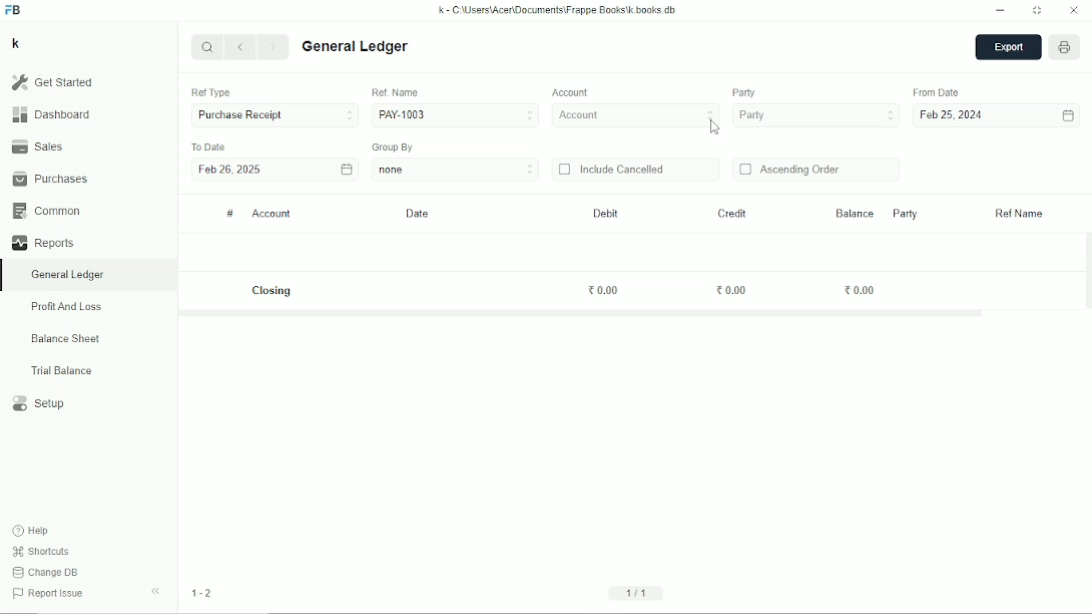  What do you see at coordinates (272, 214) in the screenshot?
I see `Account` at bounding box center [272, 214].